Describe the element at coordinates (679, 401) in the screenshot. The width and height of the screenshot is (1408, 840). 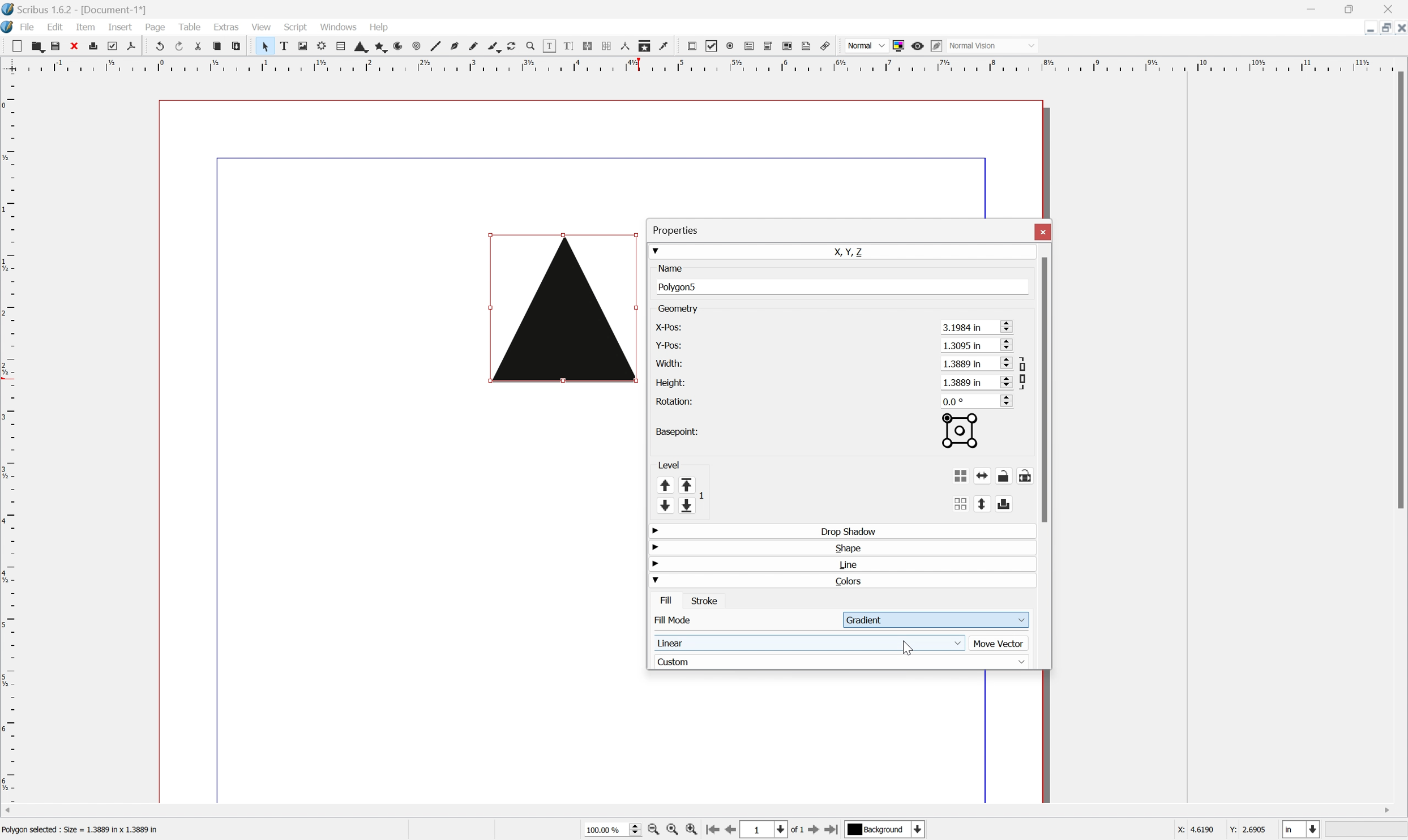
I see `Rotation:` at that location.